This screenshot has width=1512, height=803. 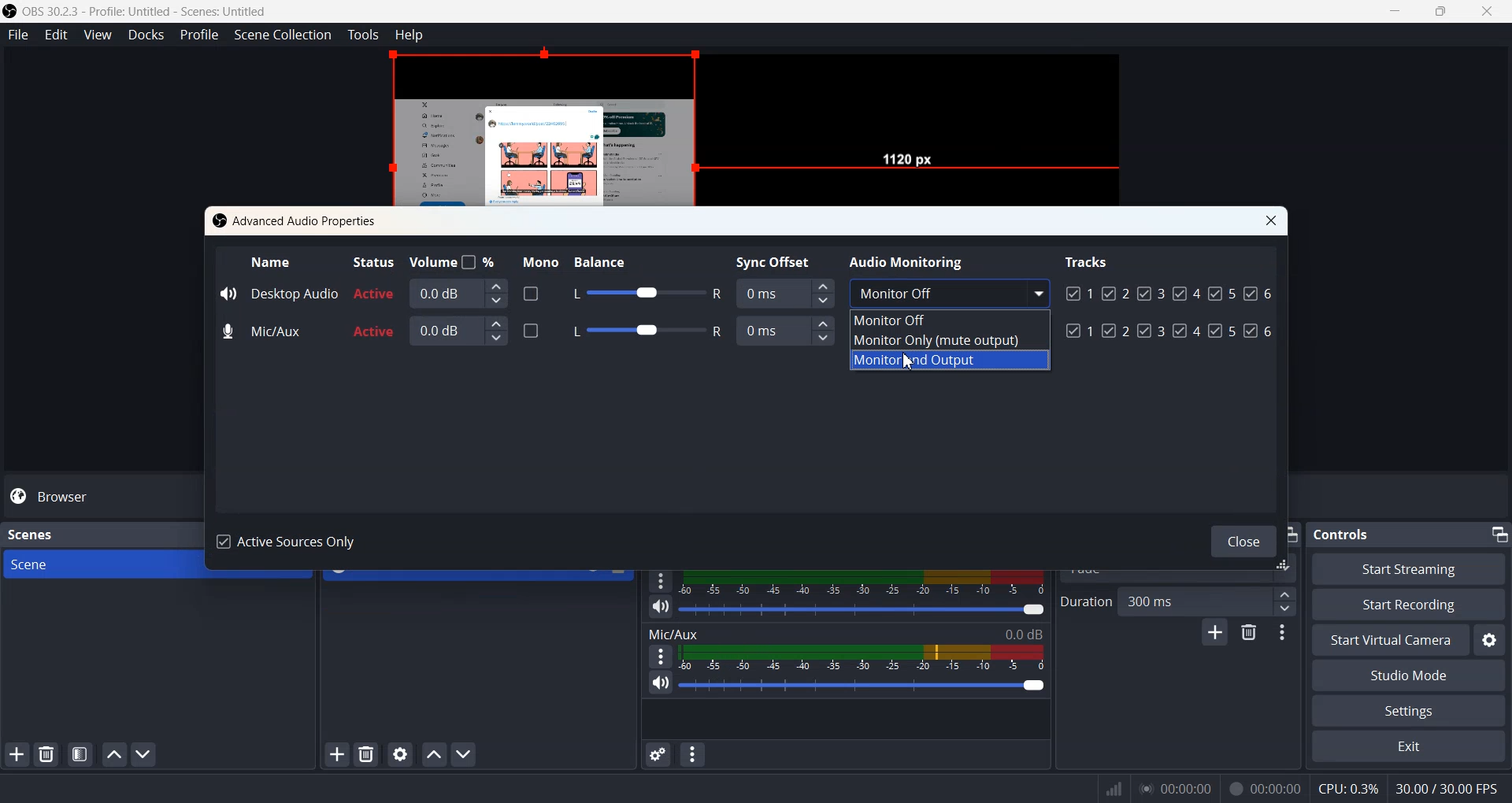 I want to click on Move sources down, so click(x=465, y=755).